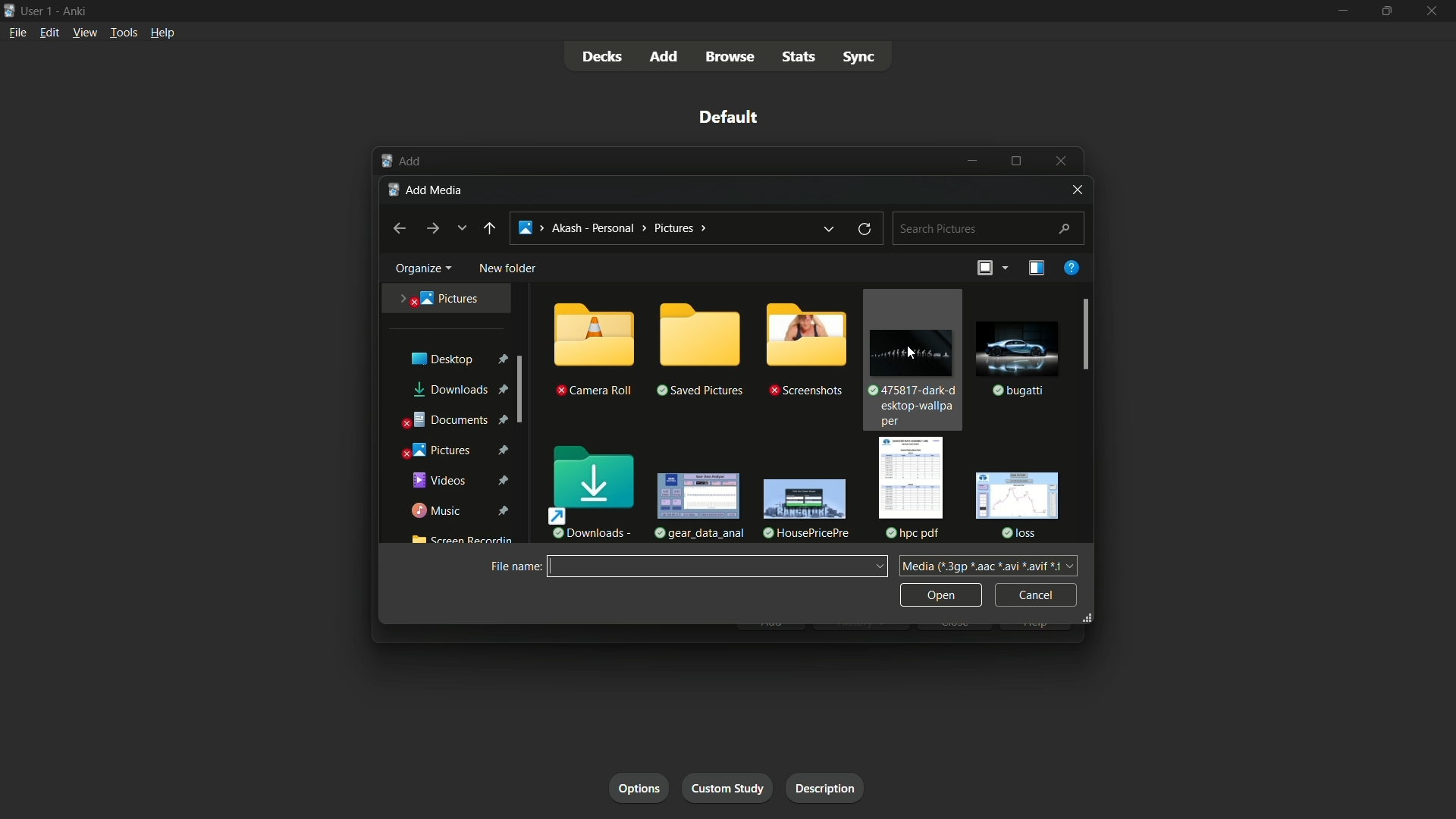  I want to click on add media, so click(429, 190).